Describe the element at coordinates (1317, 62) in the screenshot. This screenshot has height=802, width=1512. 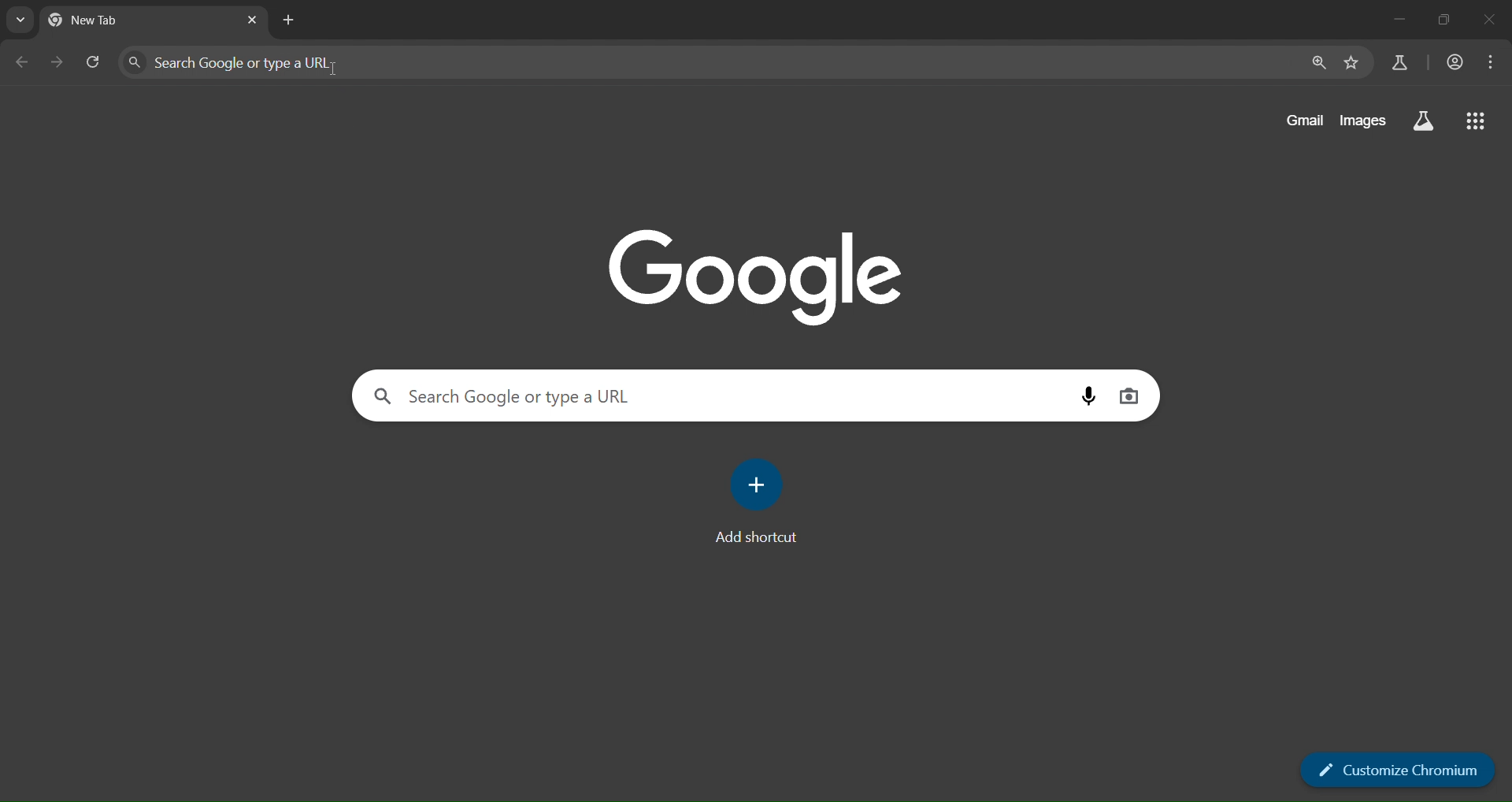
I see `zoom` at that location.